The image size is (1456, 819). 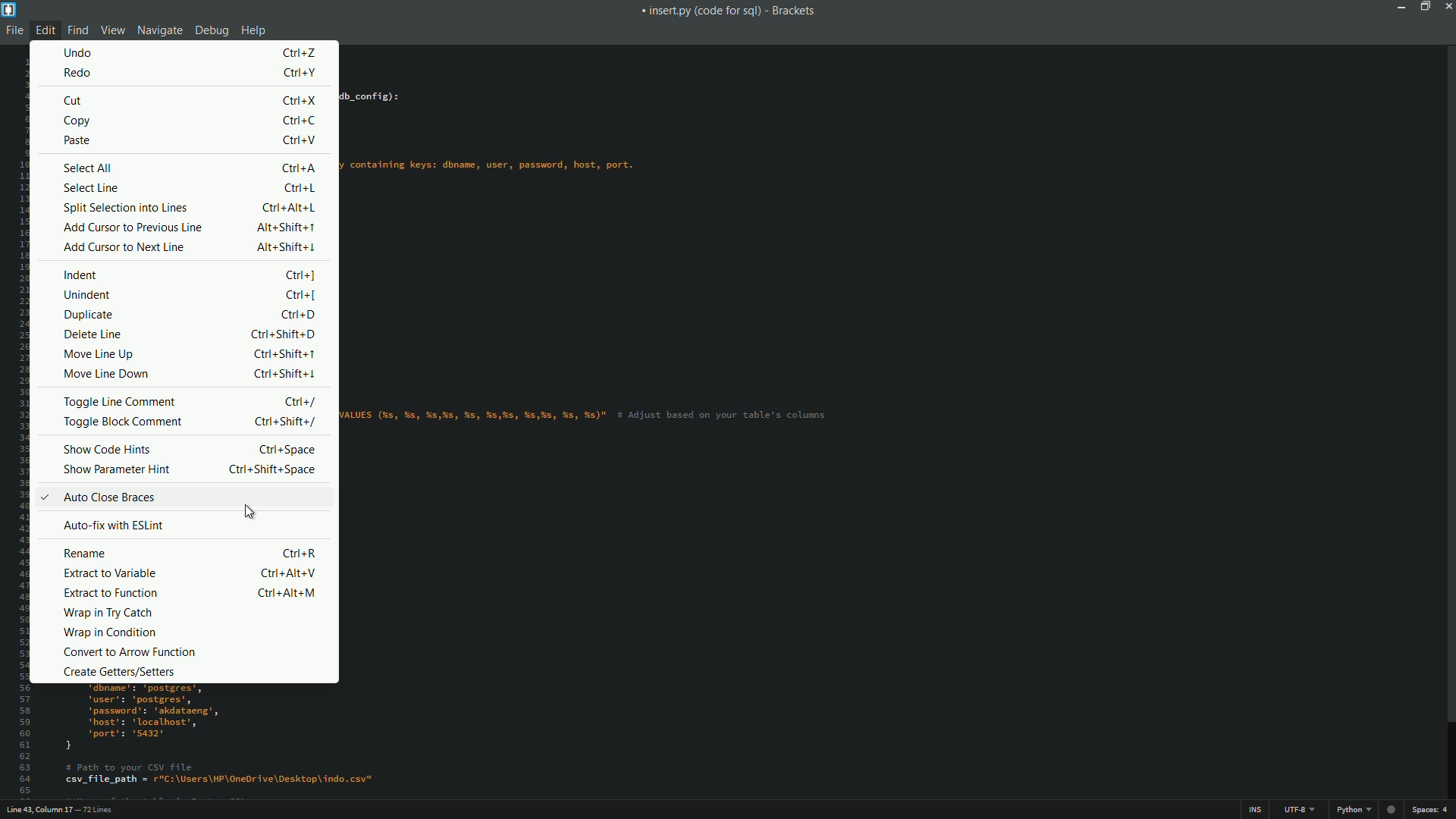 I want to click on select line, so click(x=89, y=188).